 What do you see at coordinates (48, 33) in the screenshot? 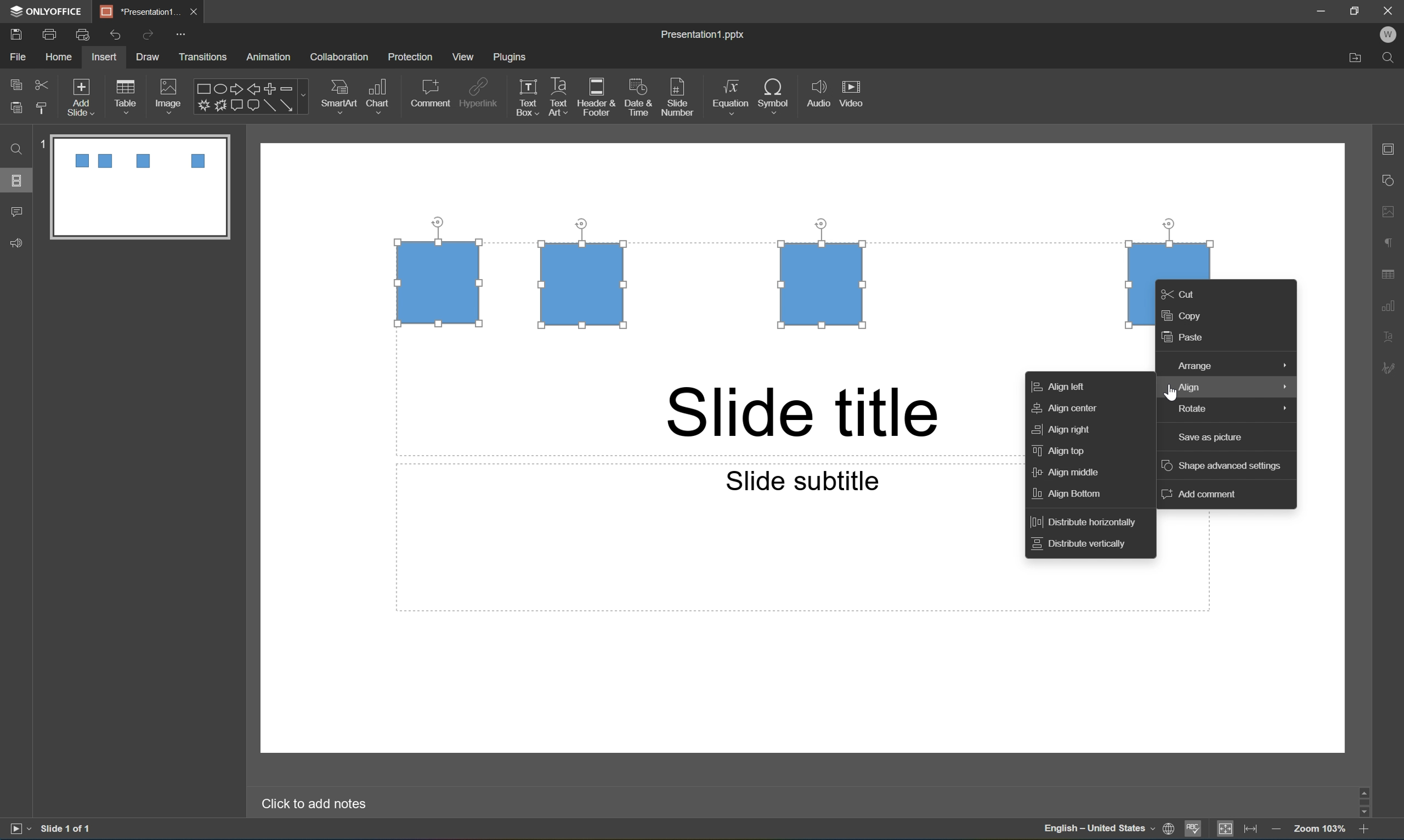
I see `print` at bounding box center [48, 33].